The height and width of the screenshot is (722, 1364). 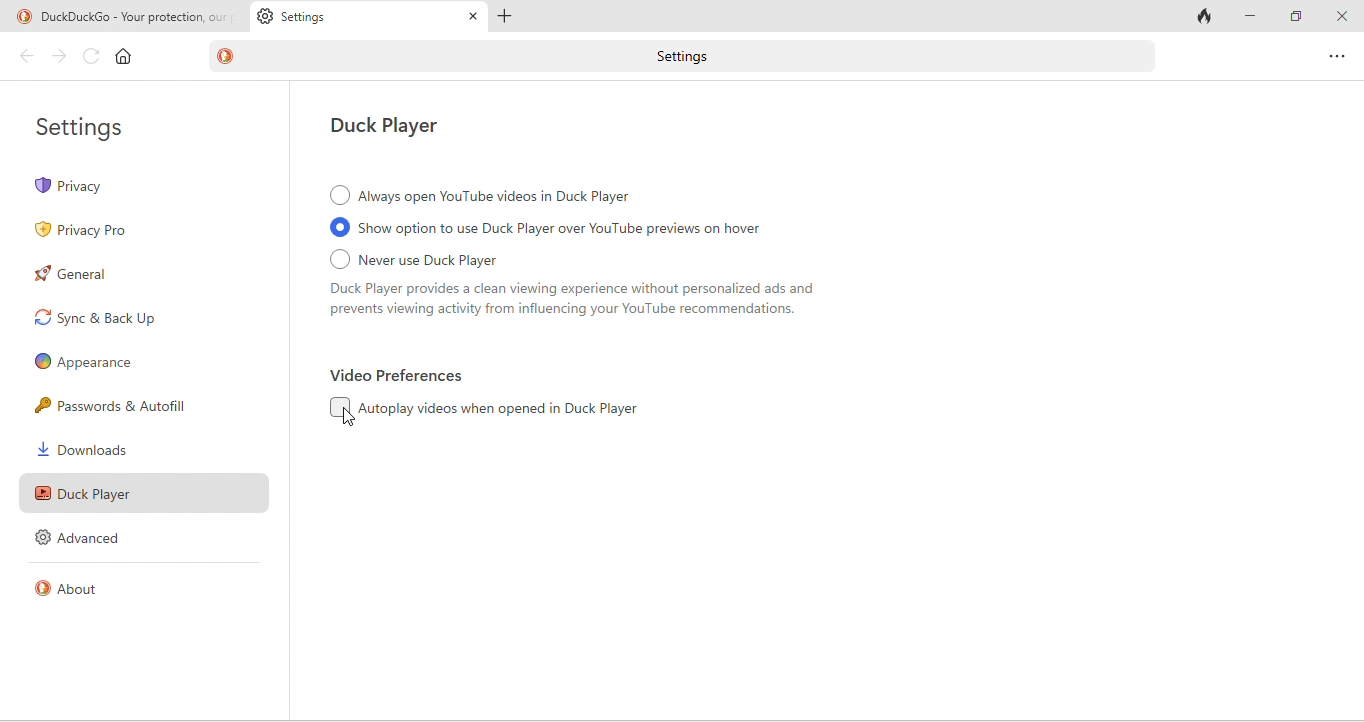 What do you see at coordinates (141, 490) in the screenshot?
I see `duck player` at bounding box center [141, 490].